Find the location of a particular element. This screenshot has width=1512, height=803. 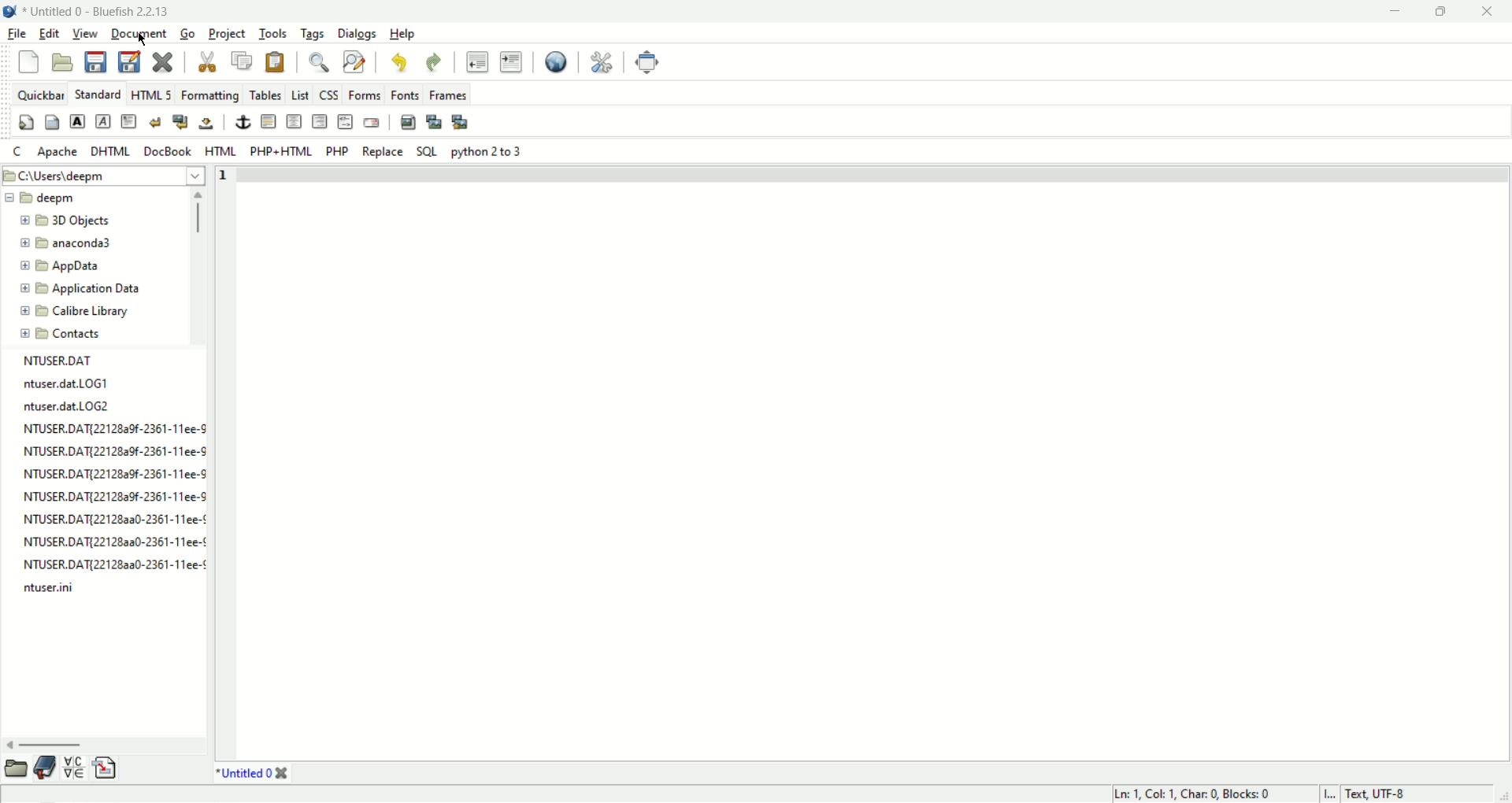

cut is located at coordinates (209, 61).